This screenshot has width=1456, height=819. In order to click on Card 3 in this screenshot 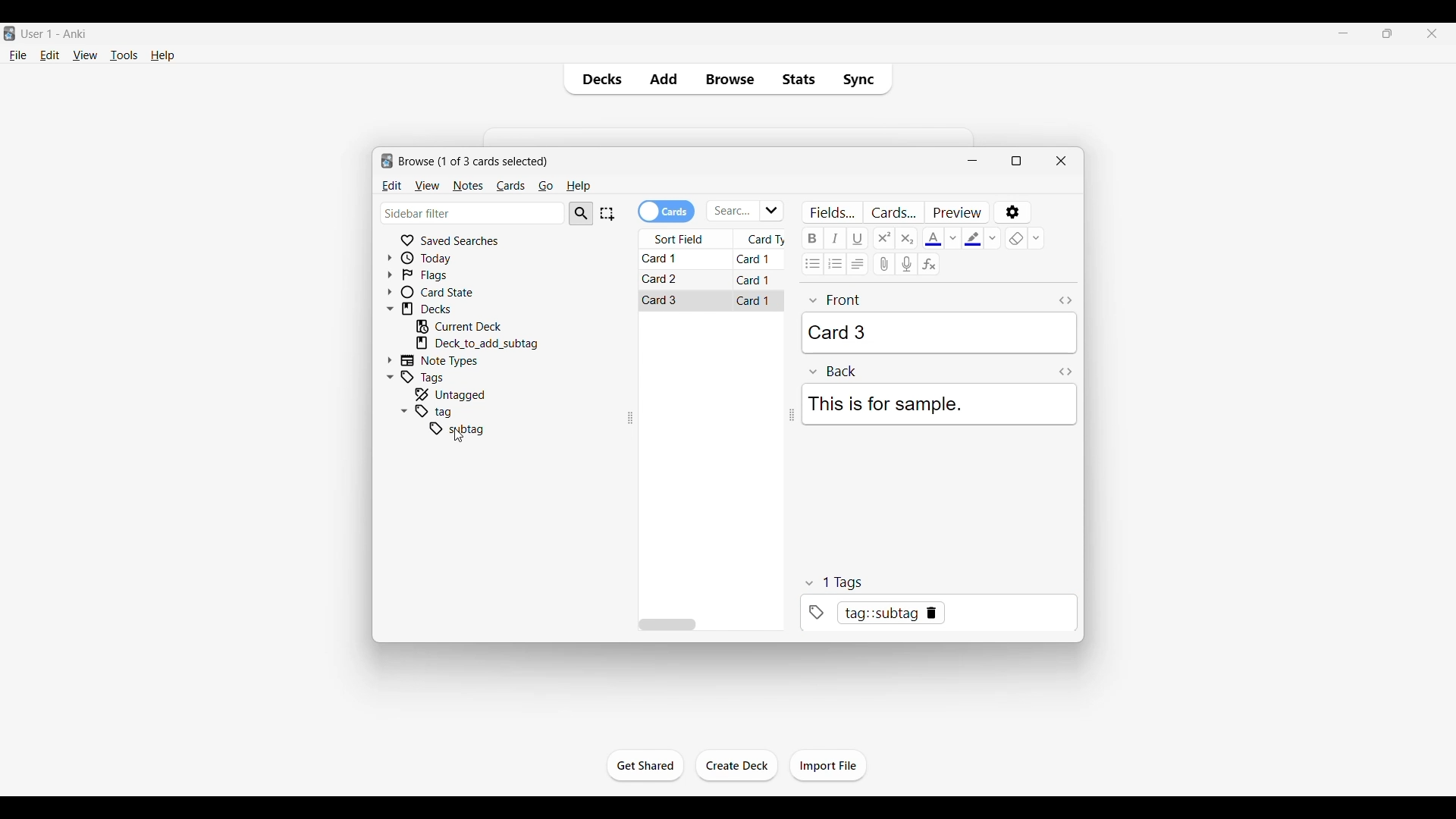, I will do `click(663, 300)`.